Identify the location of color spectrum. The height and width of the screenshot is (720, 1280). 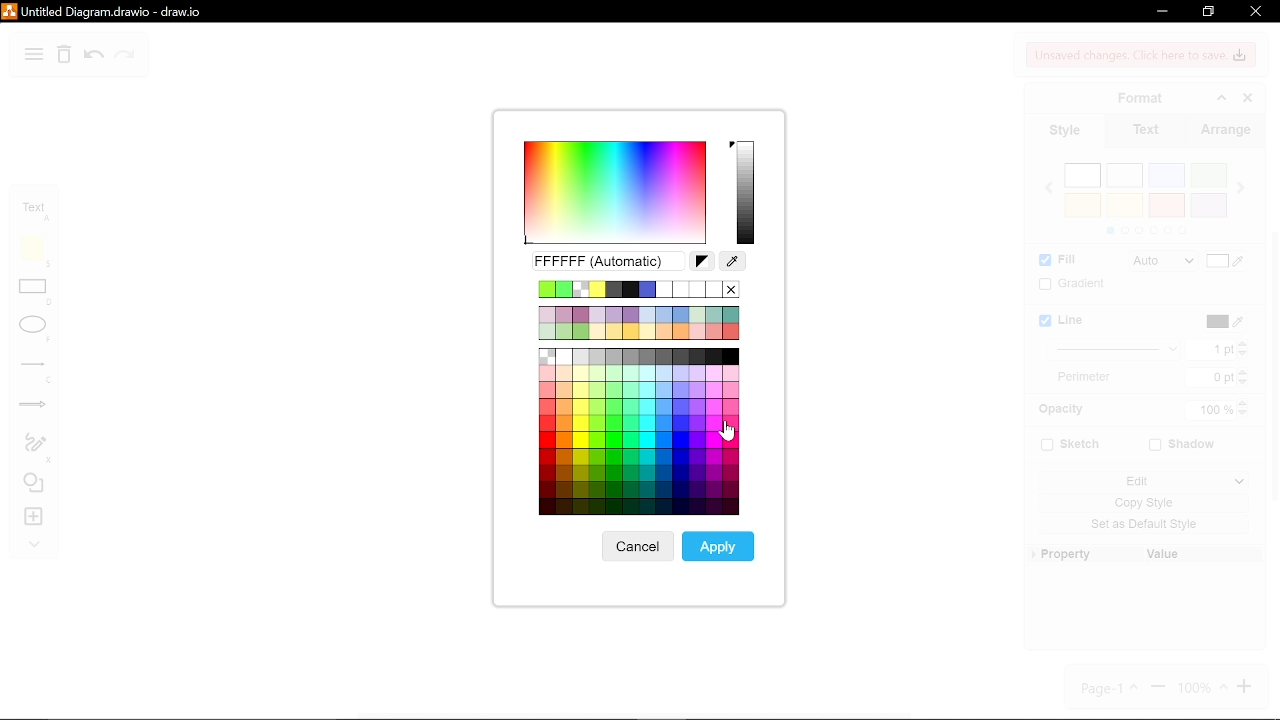
(612, 193).